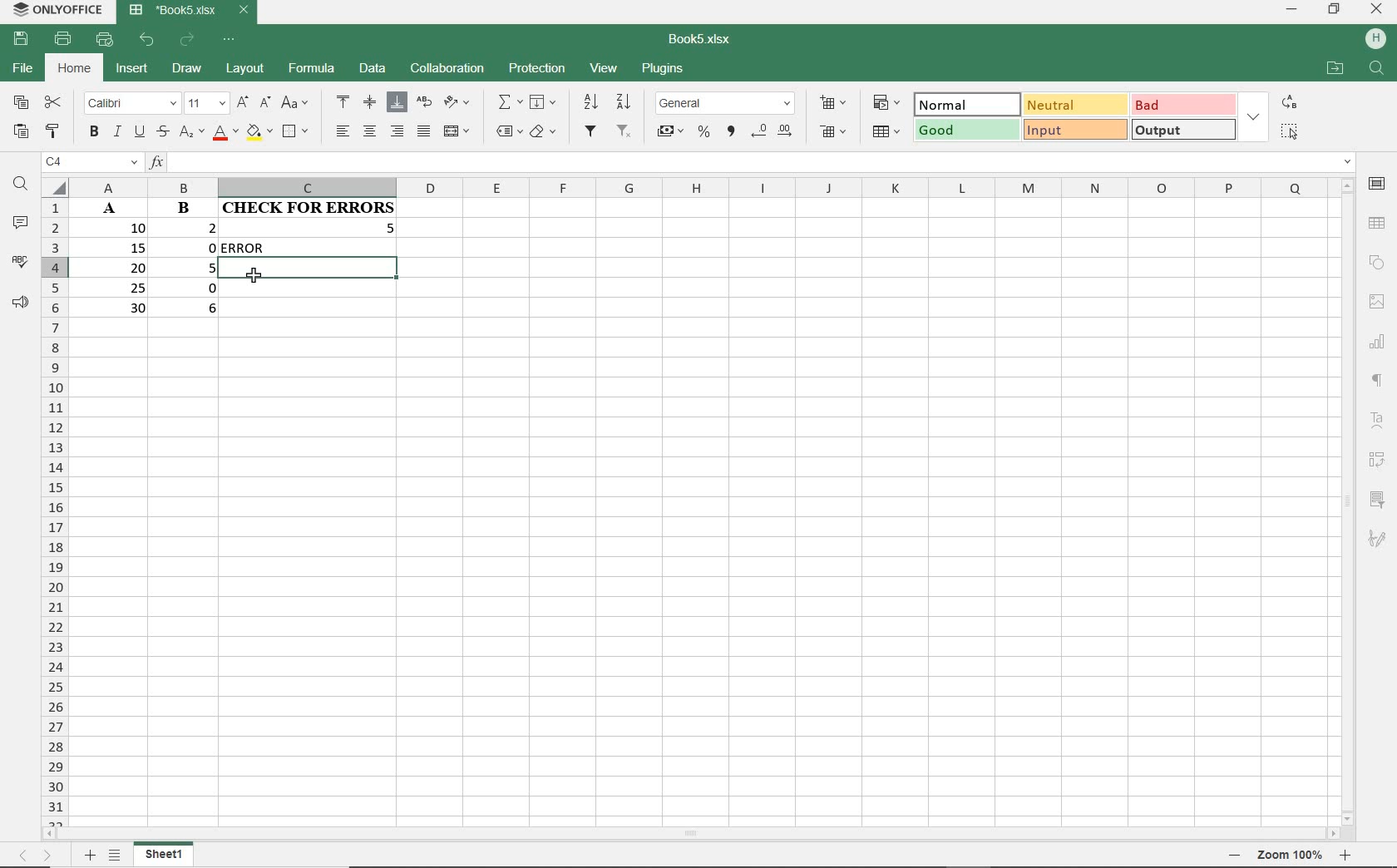  I want to click on , so click(1238, 856).